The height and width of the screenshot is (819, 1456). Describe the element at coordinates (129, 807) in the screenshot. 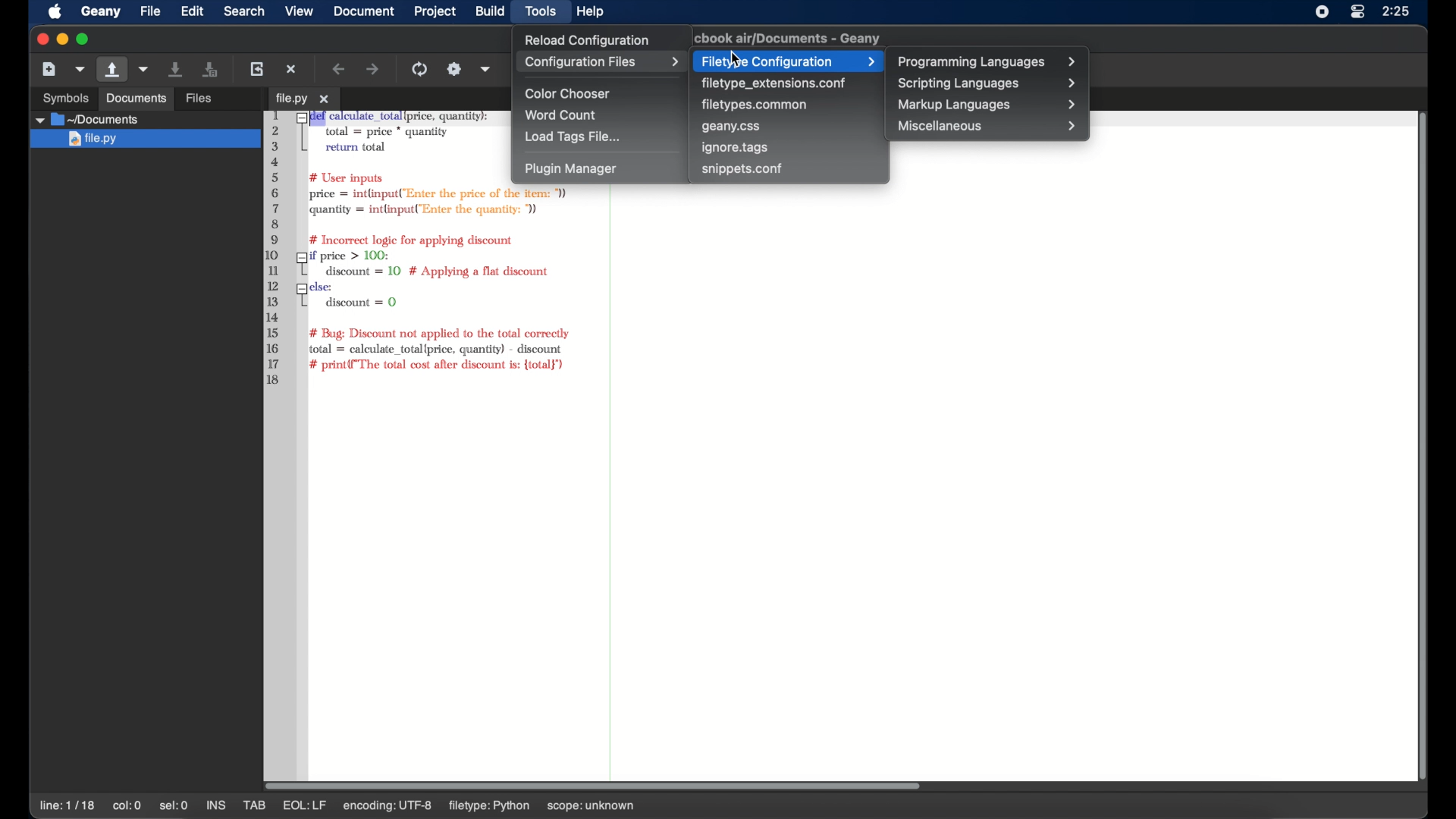

I see `col:52` at that location.